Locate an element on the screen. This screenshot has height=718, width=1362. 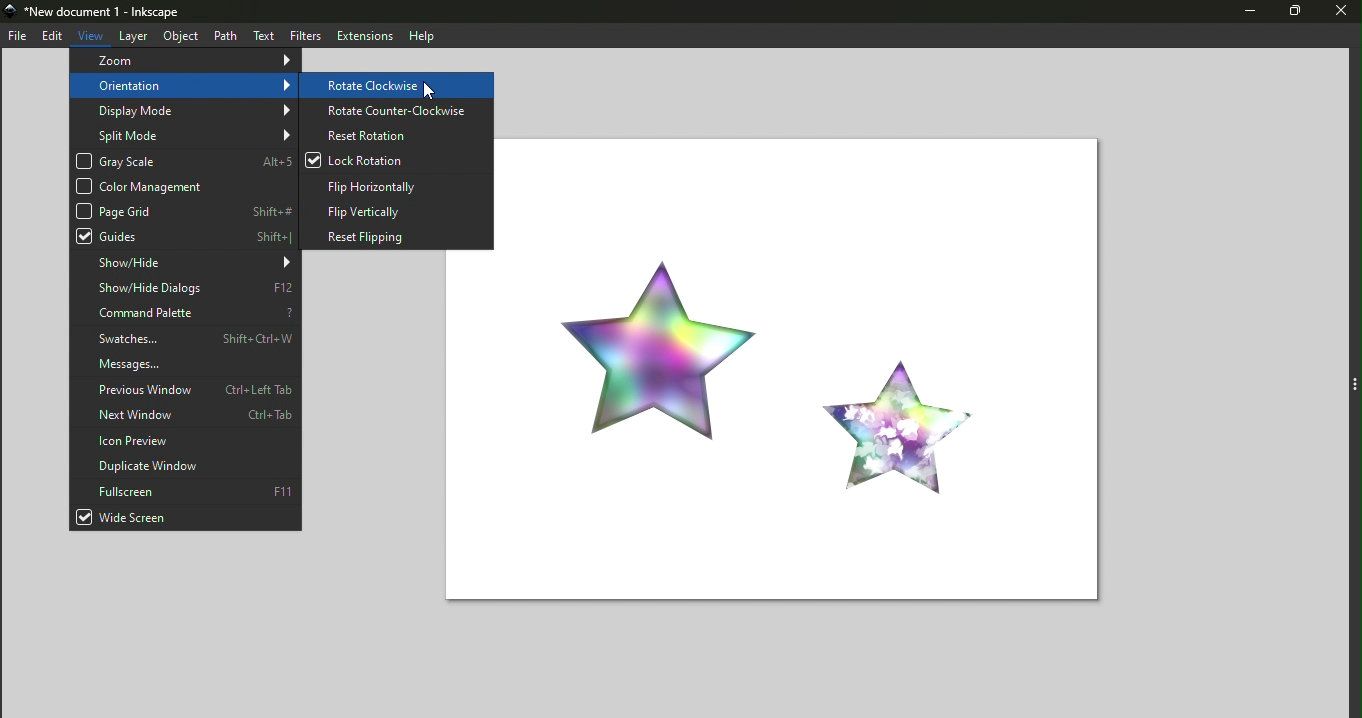
Rotate clockwise is located at coordinates (396, 86).